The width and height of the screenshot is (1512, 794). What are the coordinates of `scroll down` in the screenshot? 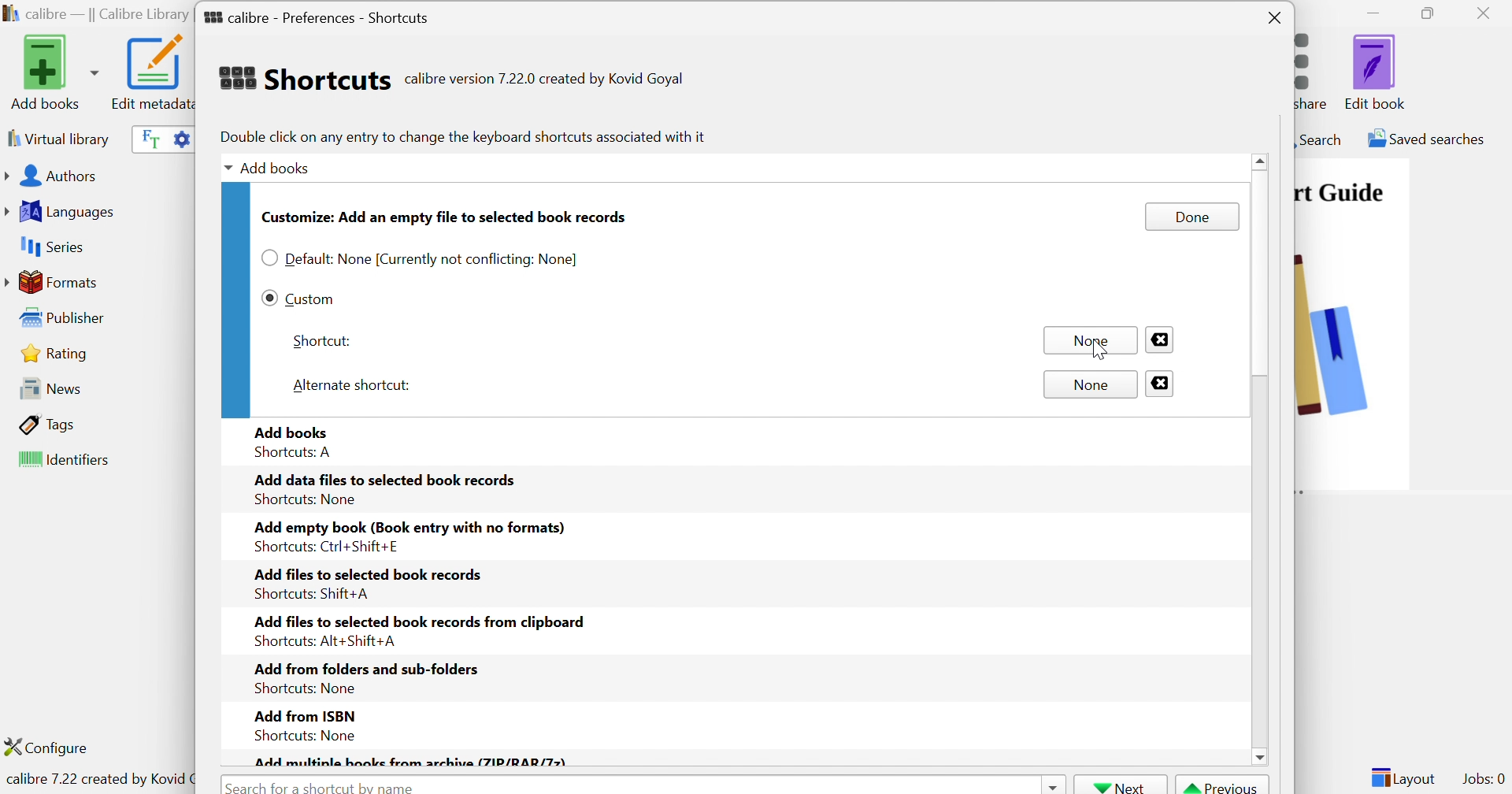 It's located at (1261, 755).